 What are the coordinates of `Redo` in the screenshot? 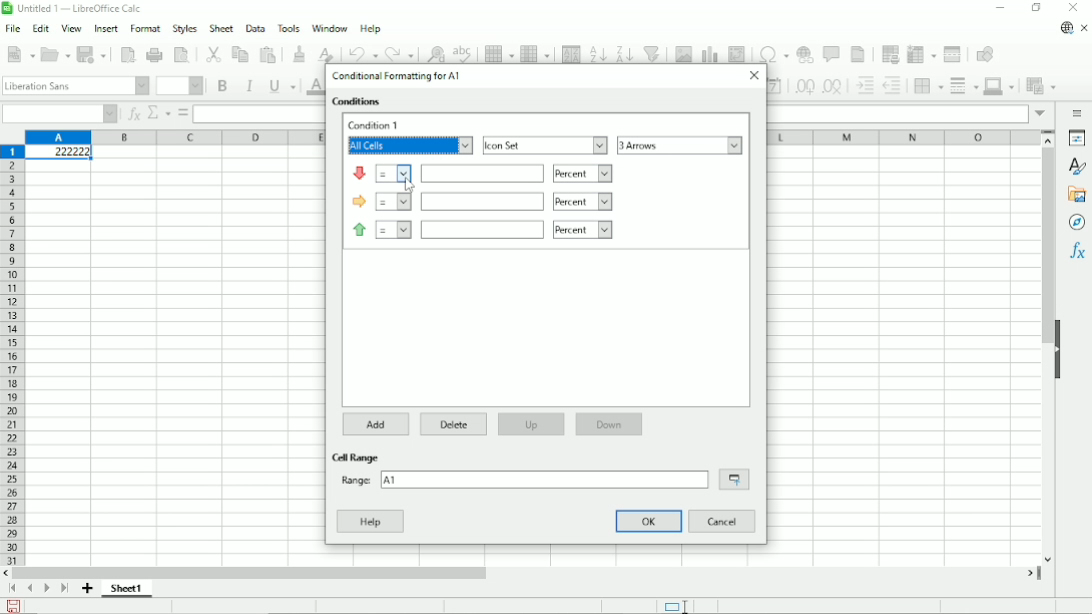 It's located at (402, 52).